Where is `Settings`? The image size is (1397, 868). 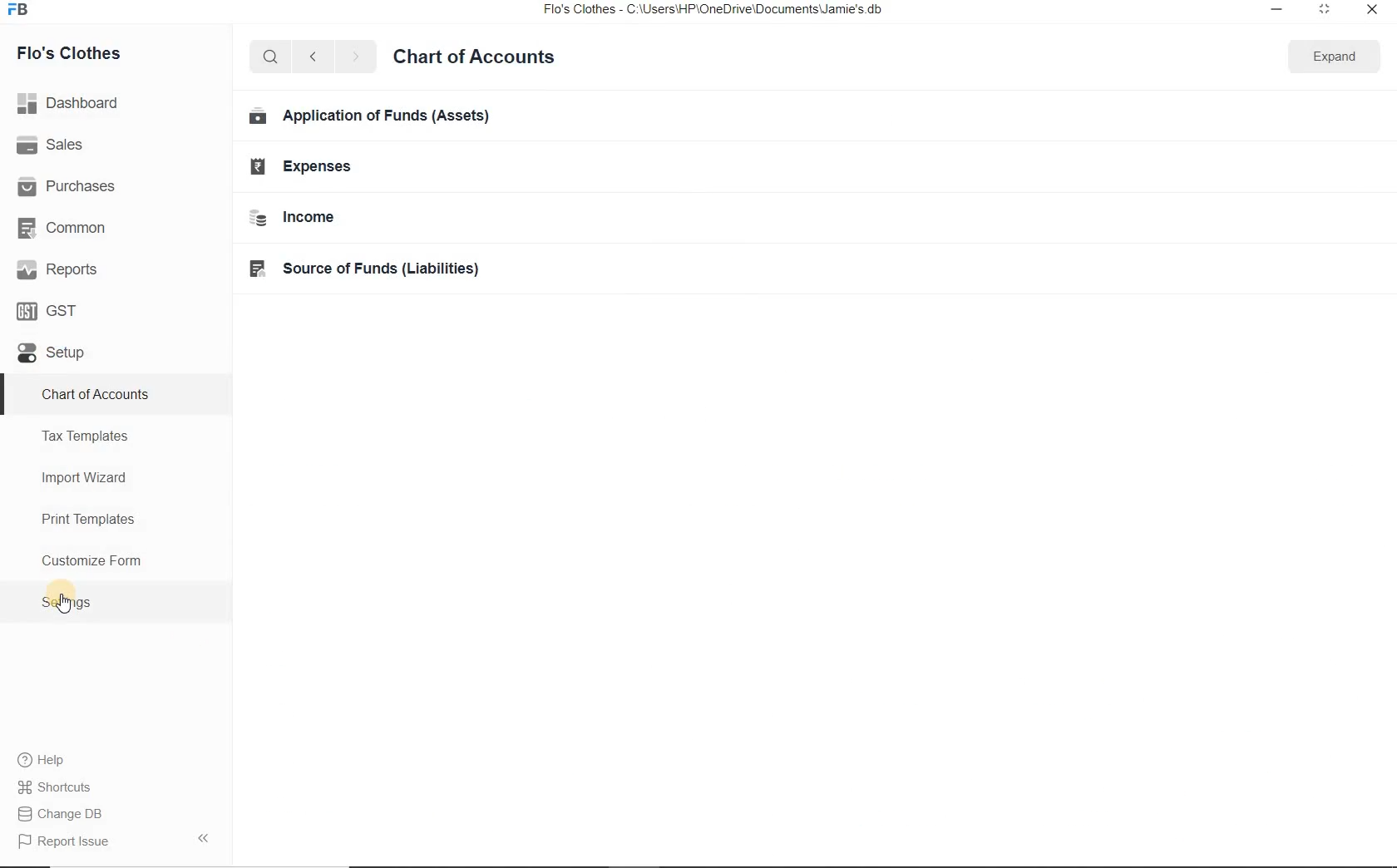 Settings is located at coordinates (70, 604).